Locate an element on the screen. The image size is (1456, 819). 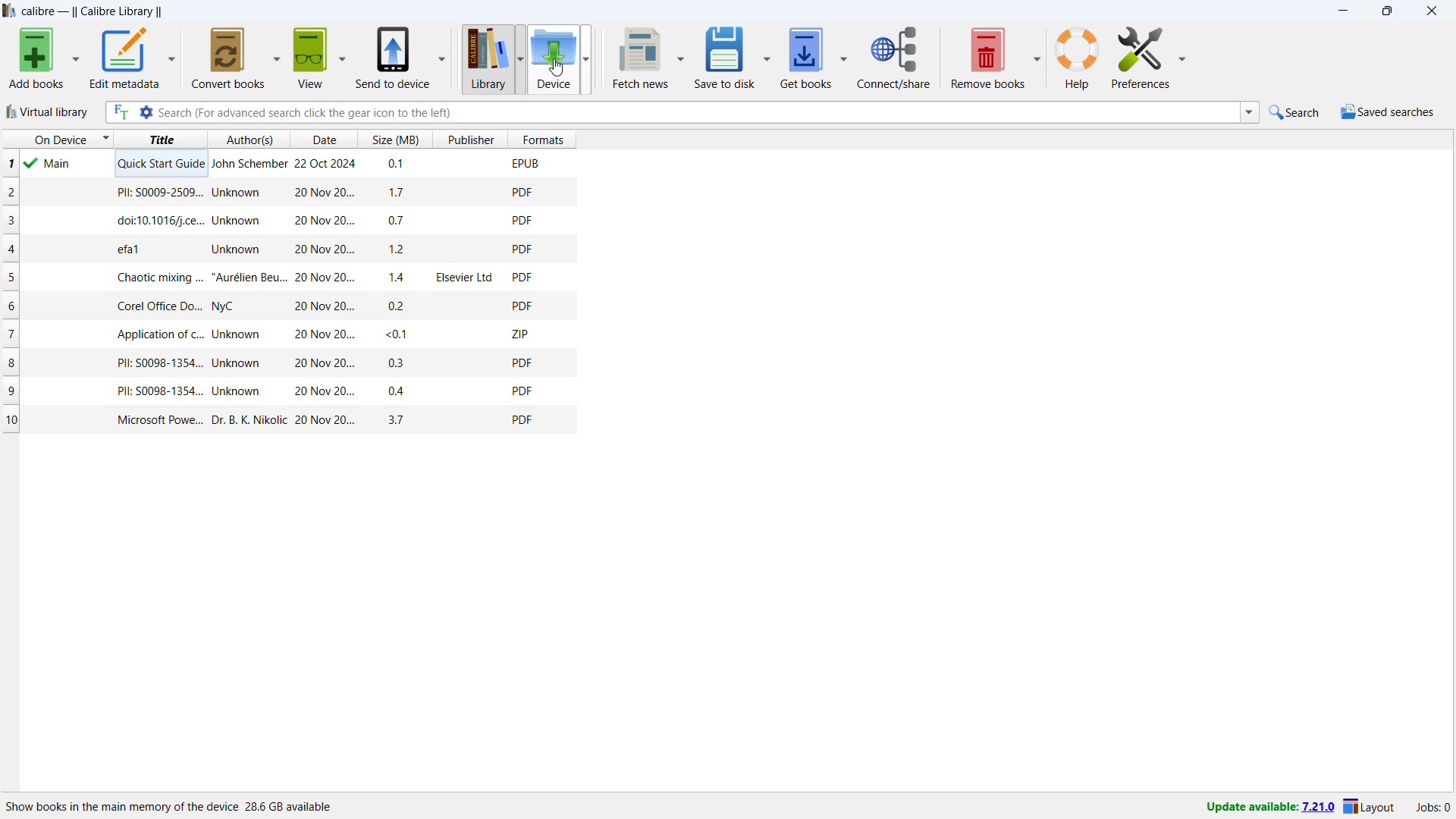
connect/share is located at coordinates (894, 58).